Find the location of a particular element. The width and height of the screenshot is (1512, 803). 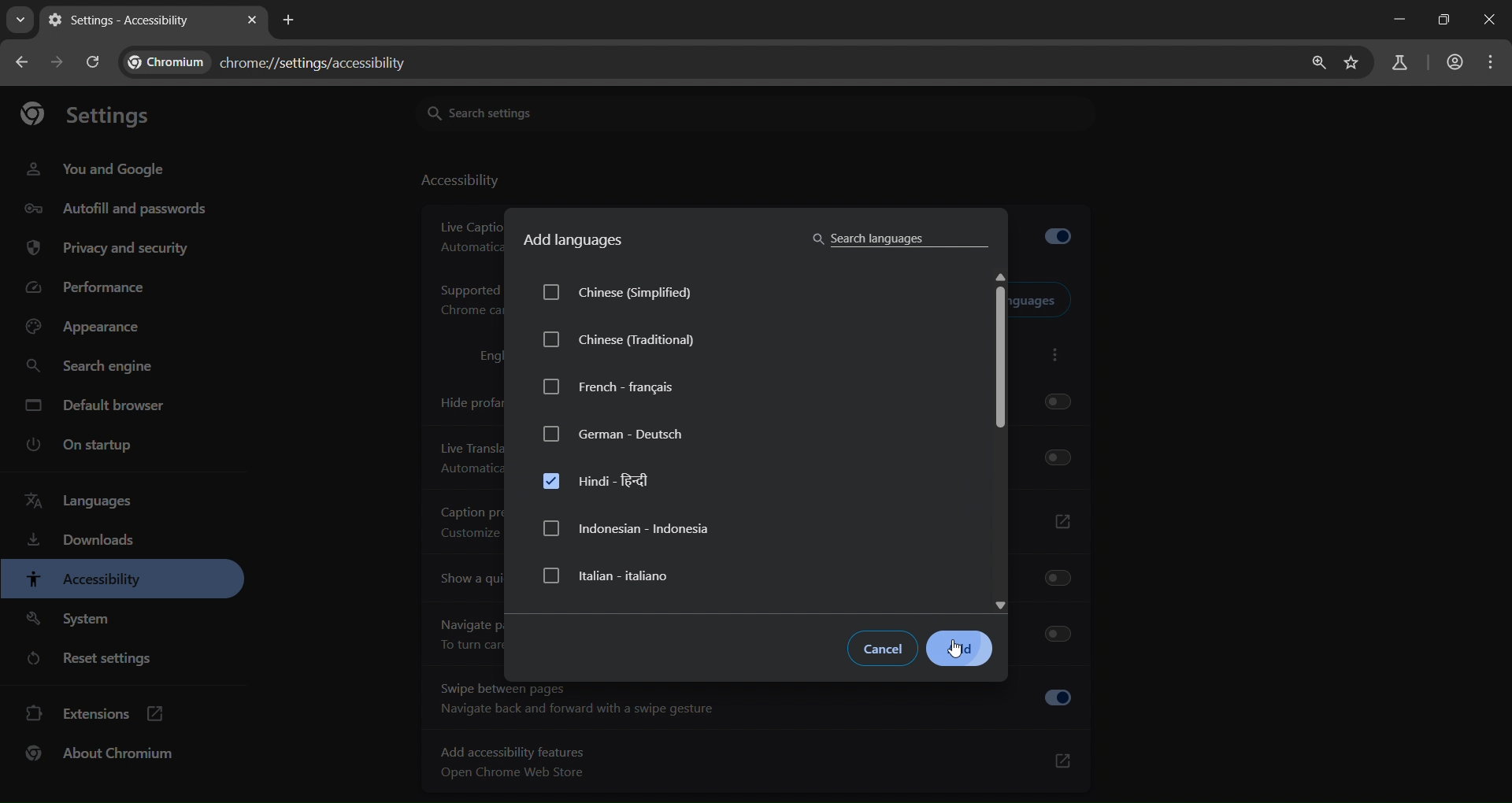

go forward one page is located at coordinates (60, 63).